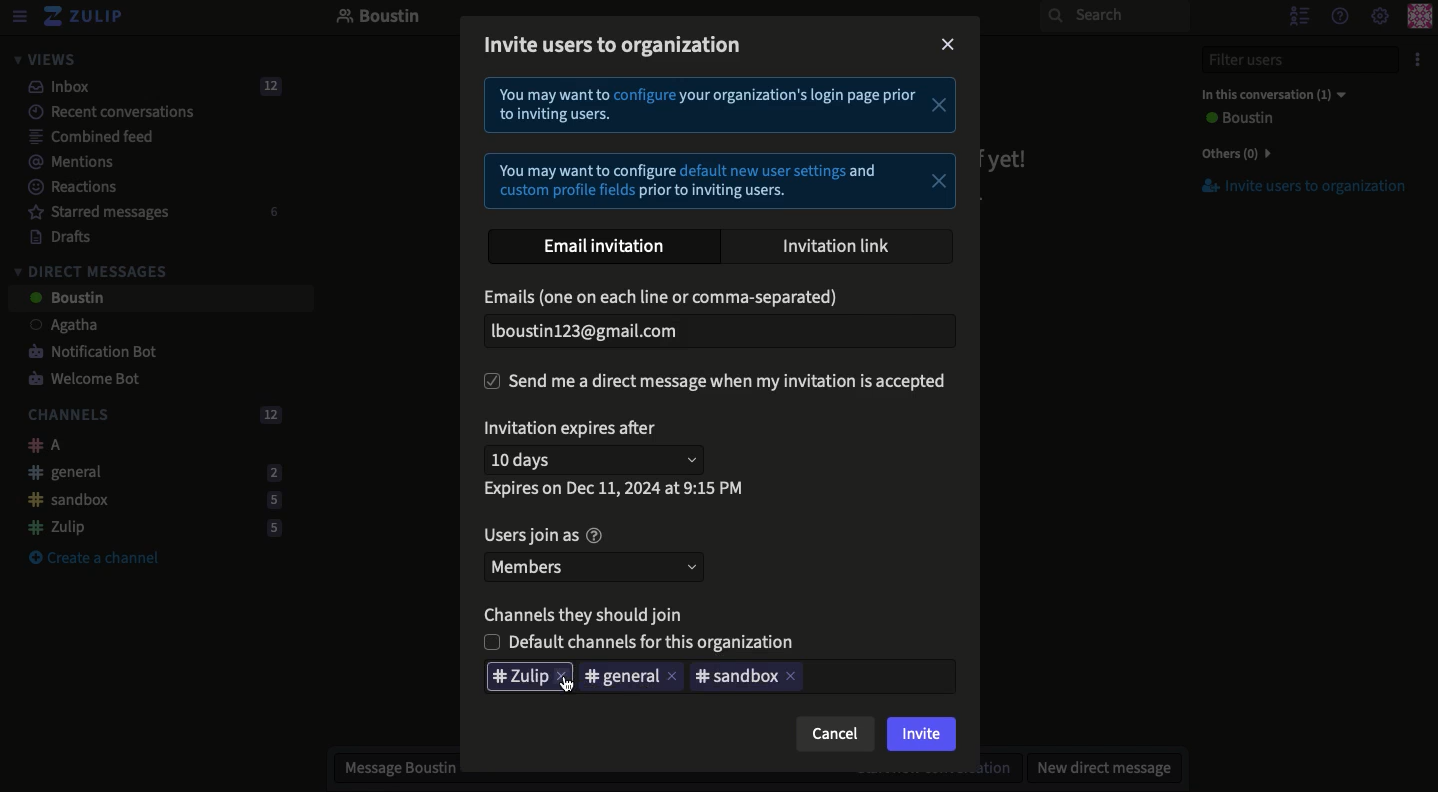 The image size is (1438, 792). I want to click on Invitation link, so click(838, 245).